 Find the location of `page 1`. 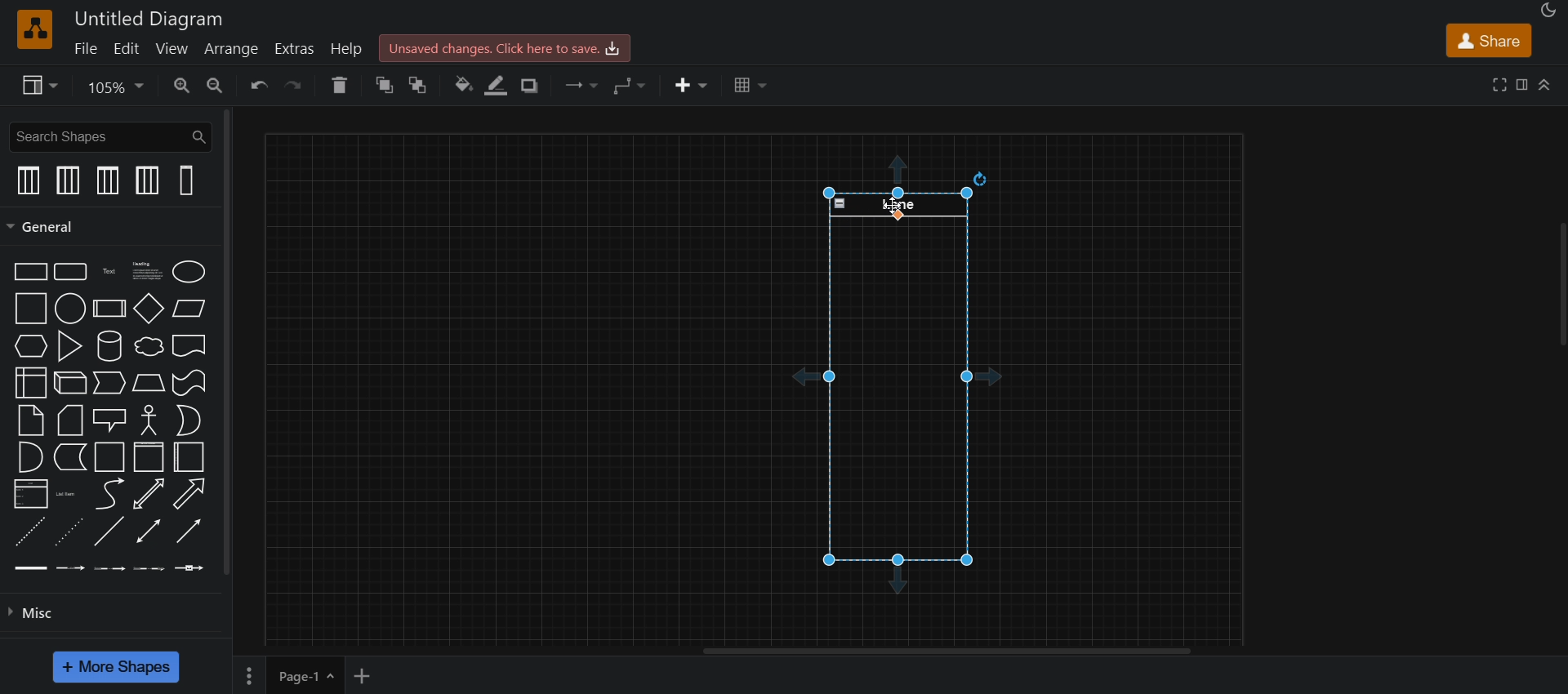

page 1 is located at coordinates (287, 674).